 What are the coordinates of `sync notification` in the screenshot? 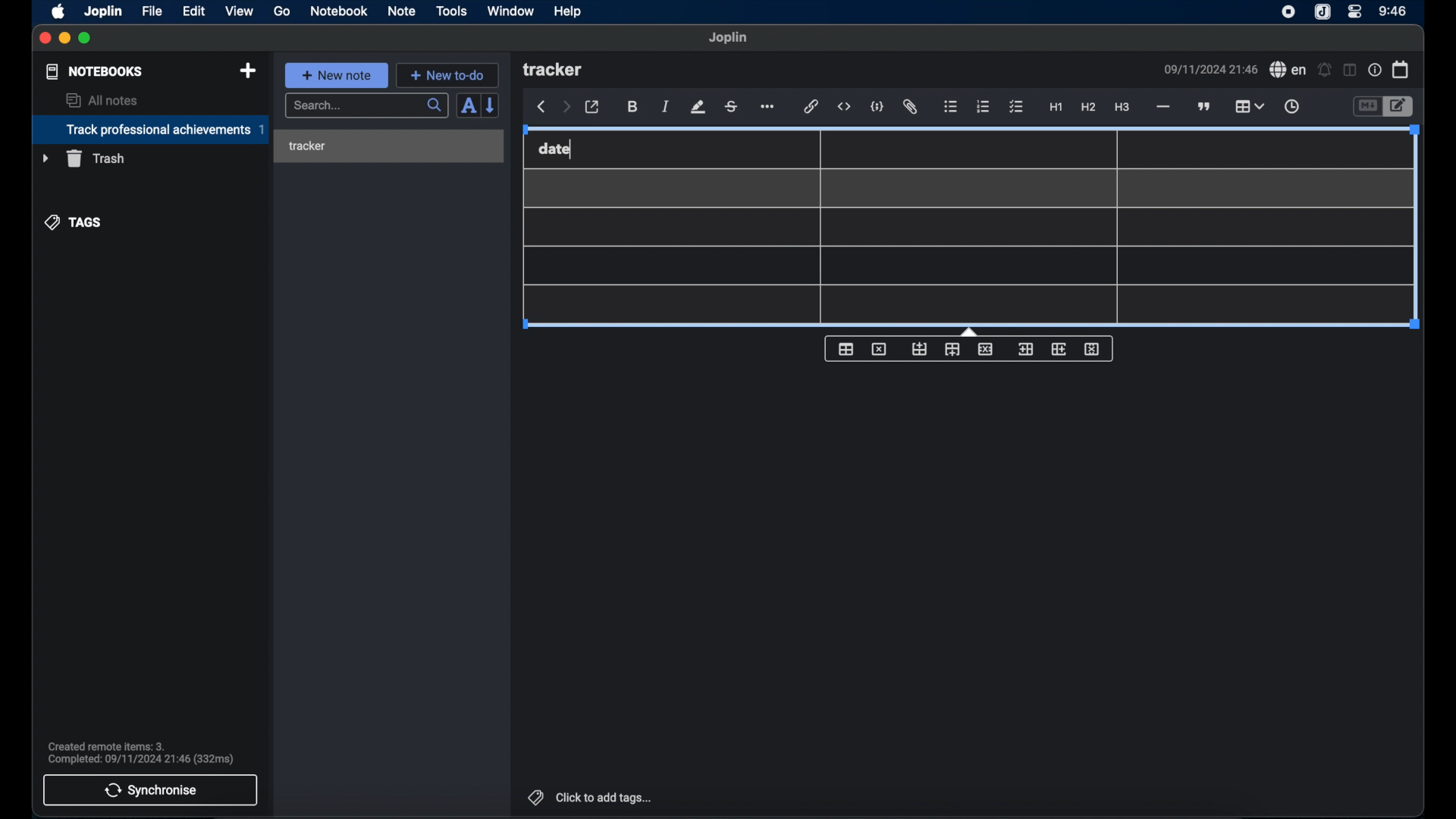 It's located at (140, 753).